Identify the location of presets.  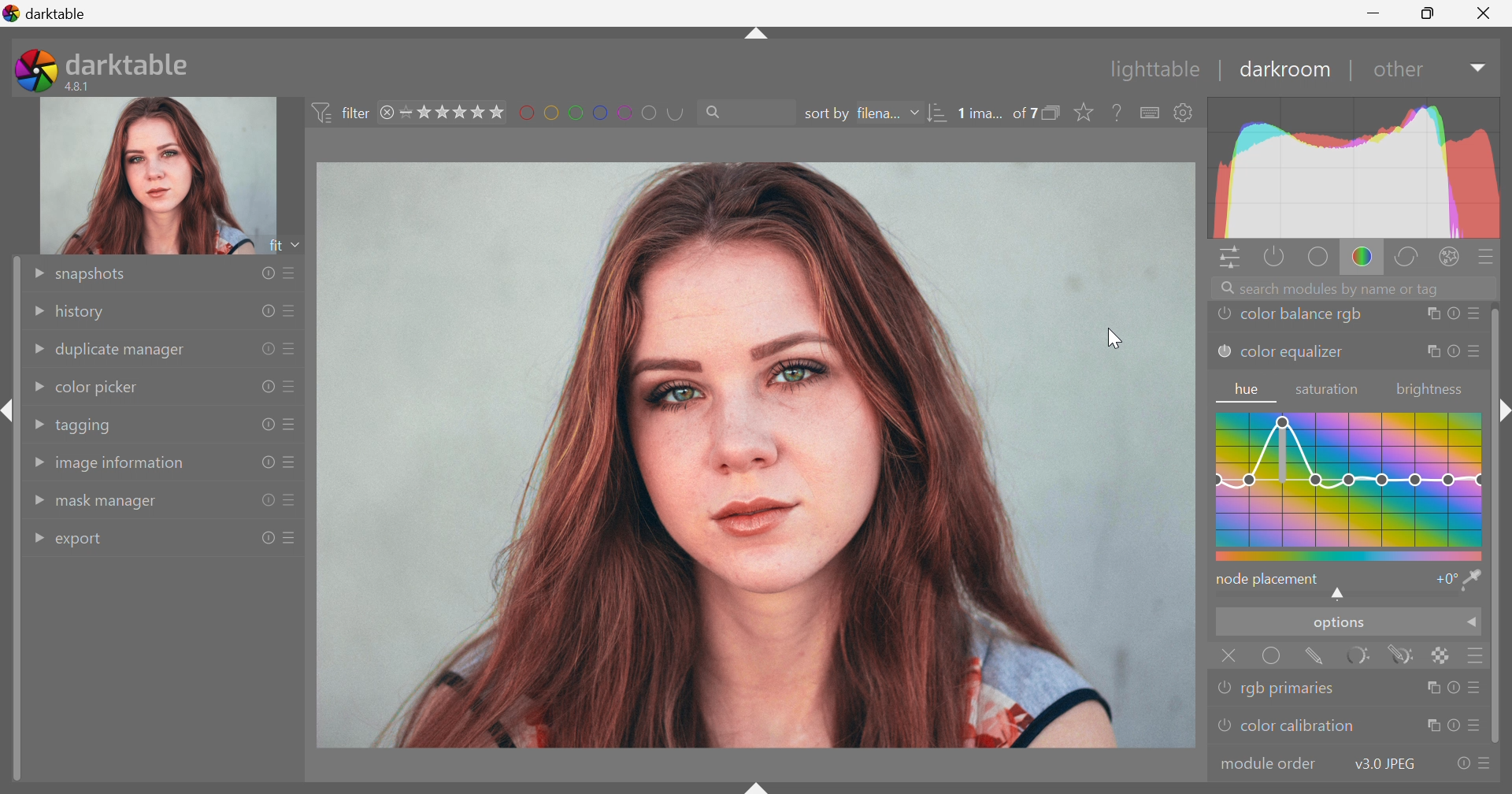
(1473, 352).